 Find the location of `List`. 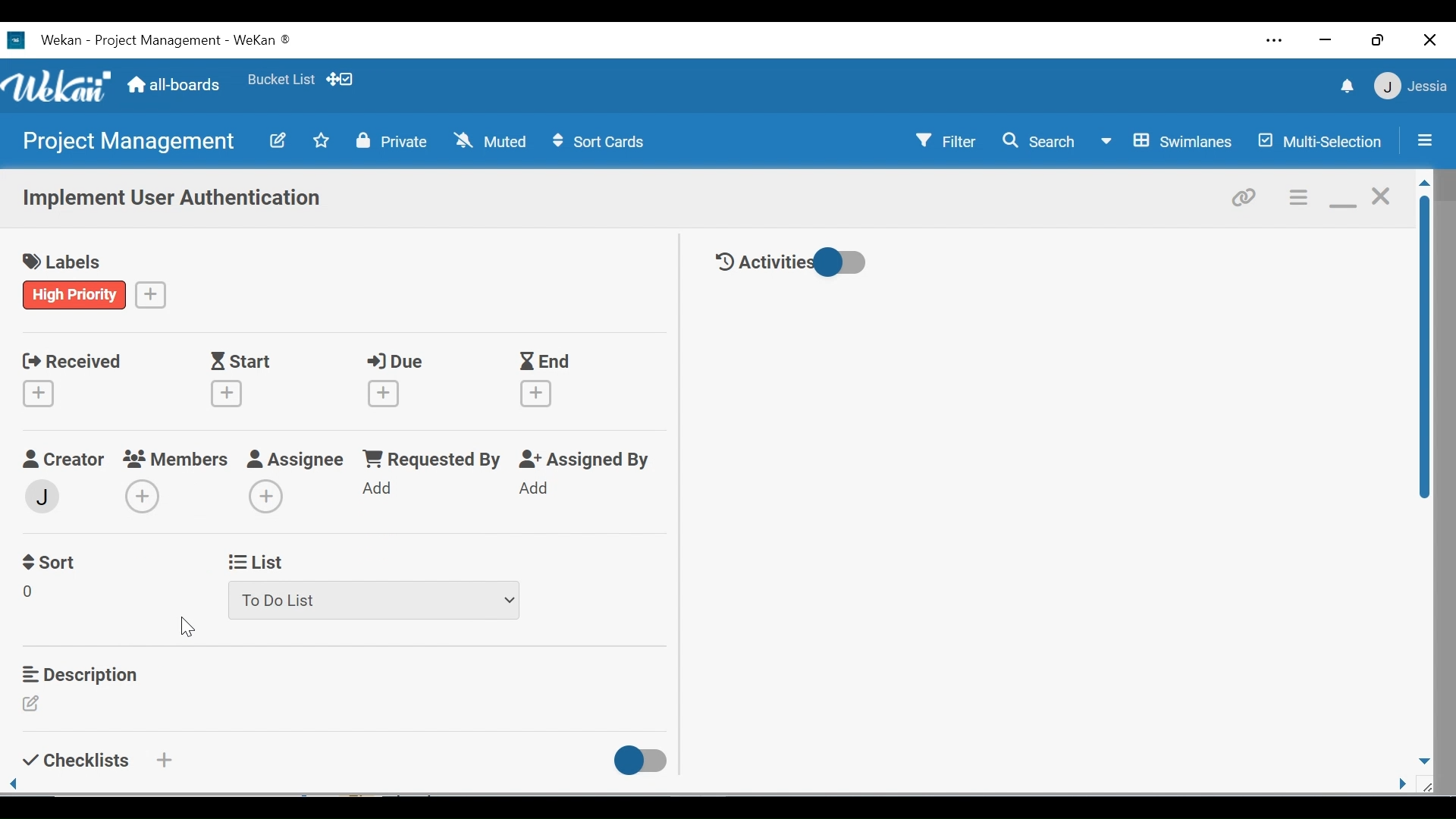

List is located at coordinates (260, 560).